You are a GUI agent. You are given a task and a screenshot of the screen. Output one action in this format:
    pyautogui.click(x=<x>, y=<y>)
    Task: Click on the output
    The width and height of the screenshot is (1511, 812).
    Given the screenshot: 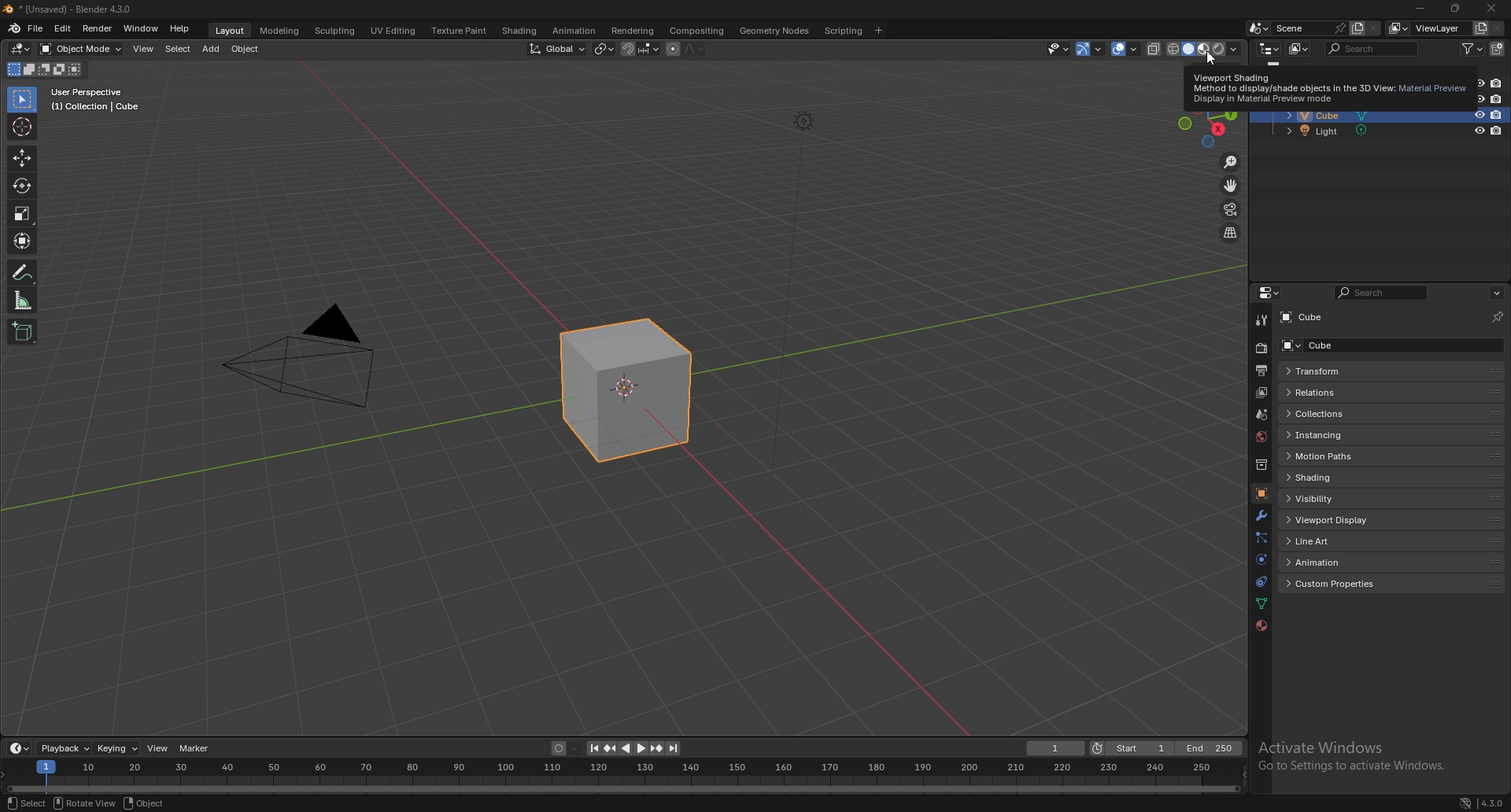 What is the action you would take?
    pyautogui.click(x=1261, y=371)
    